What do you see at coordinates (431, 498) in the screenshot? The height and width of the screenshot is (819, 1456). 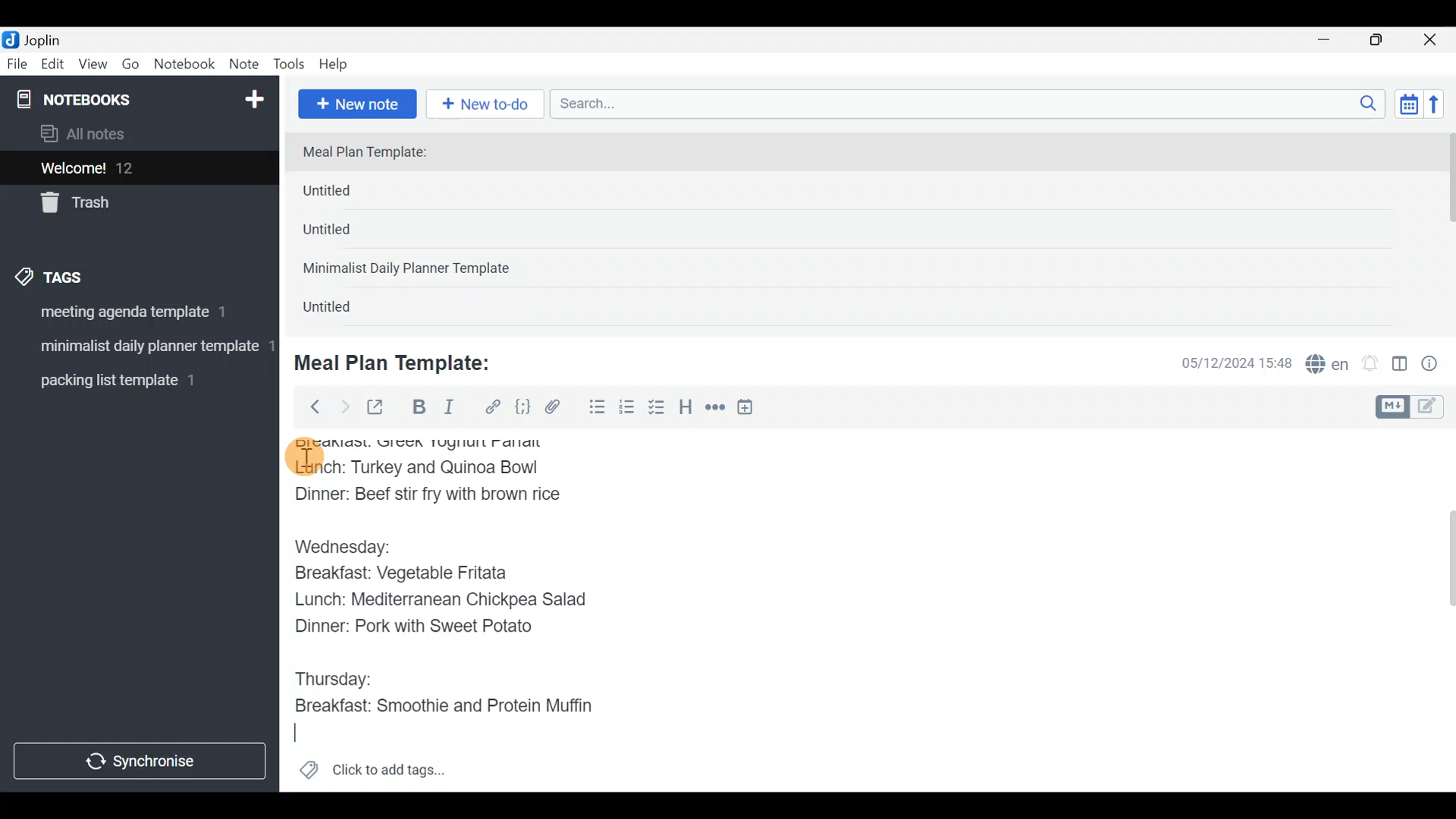 I see `Dinner: Beef stir fry with brown rice` at bounding box center [431, 498].